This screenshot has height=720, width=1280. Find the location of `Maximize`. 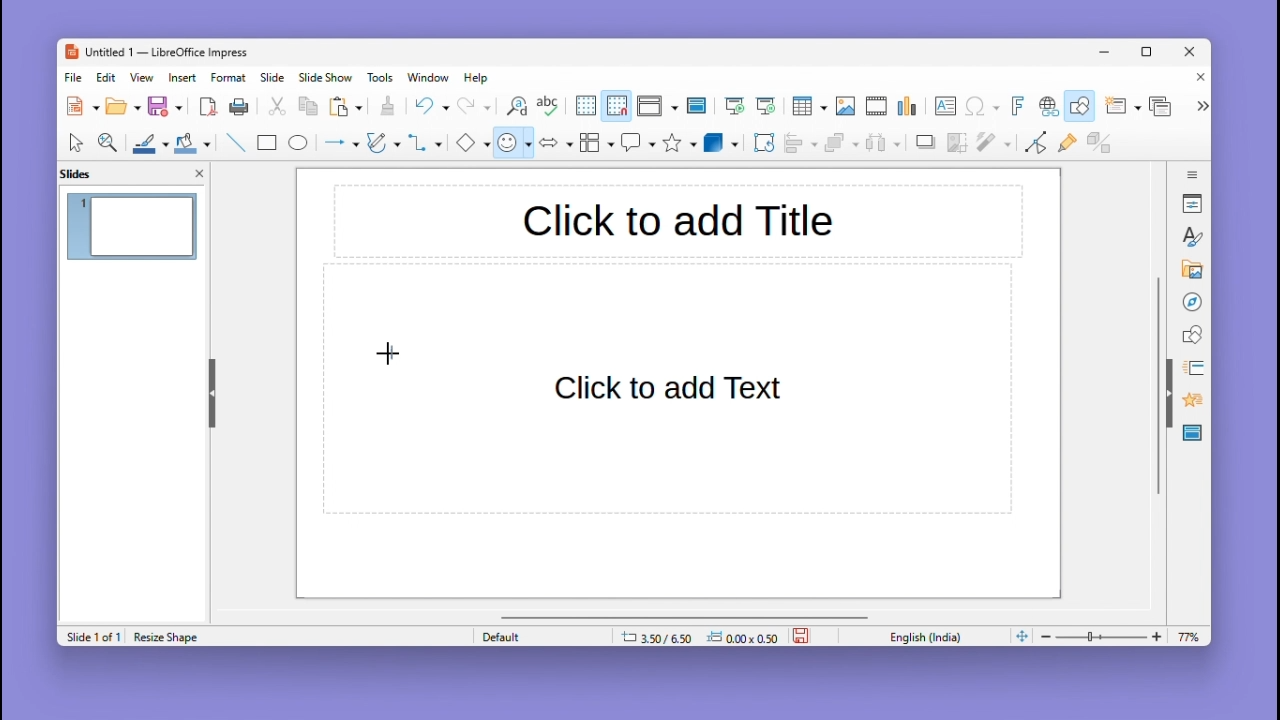

Maximize is located at coordinates (1150, 55).